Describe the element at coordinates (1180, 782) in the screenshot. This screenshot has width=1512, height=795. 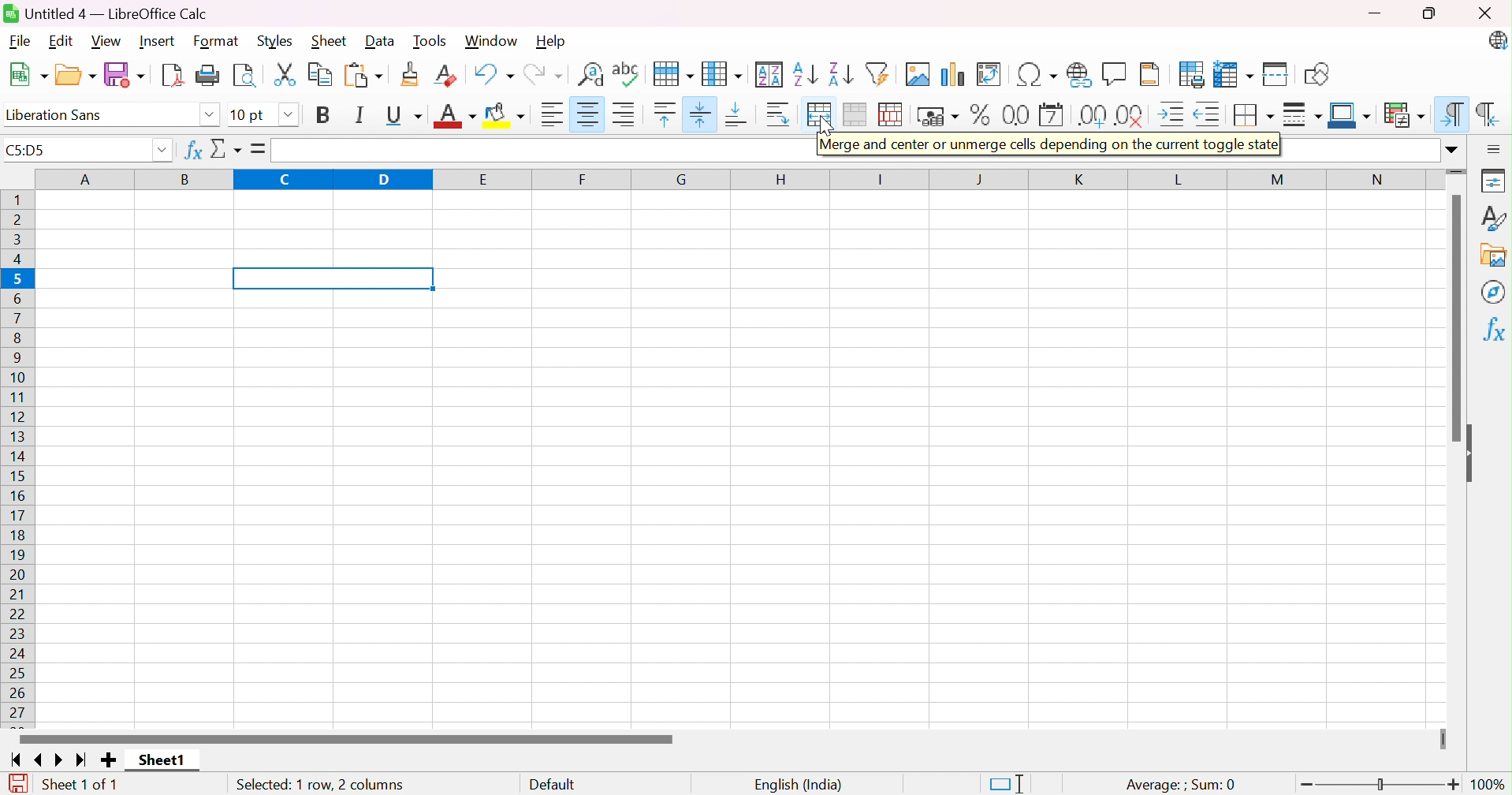
I see `Average: ;Sum: 0` at that location.